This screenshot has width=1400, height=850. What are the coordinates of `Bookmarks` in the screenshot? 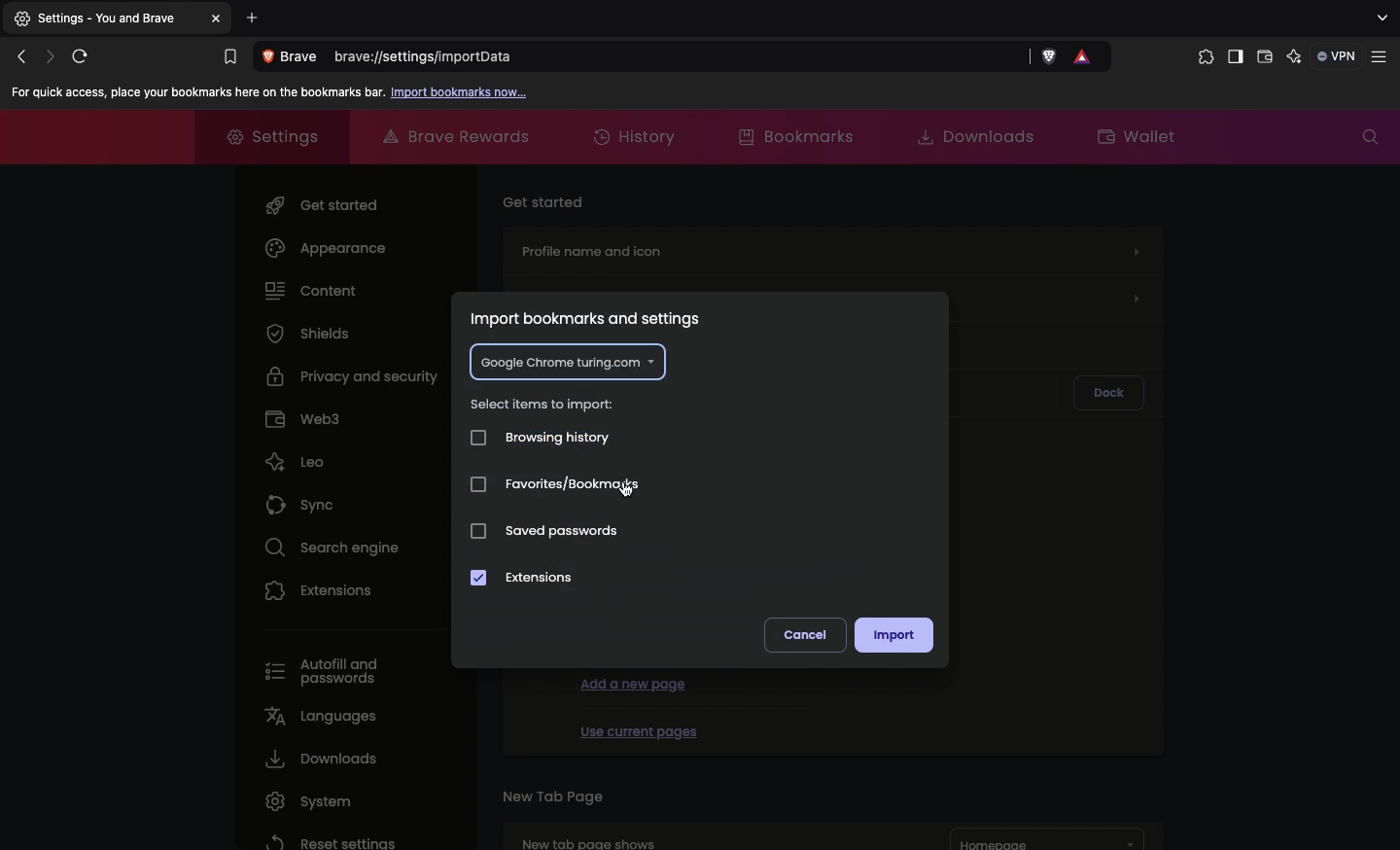 It's located at (793, 135).